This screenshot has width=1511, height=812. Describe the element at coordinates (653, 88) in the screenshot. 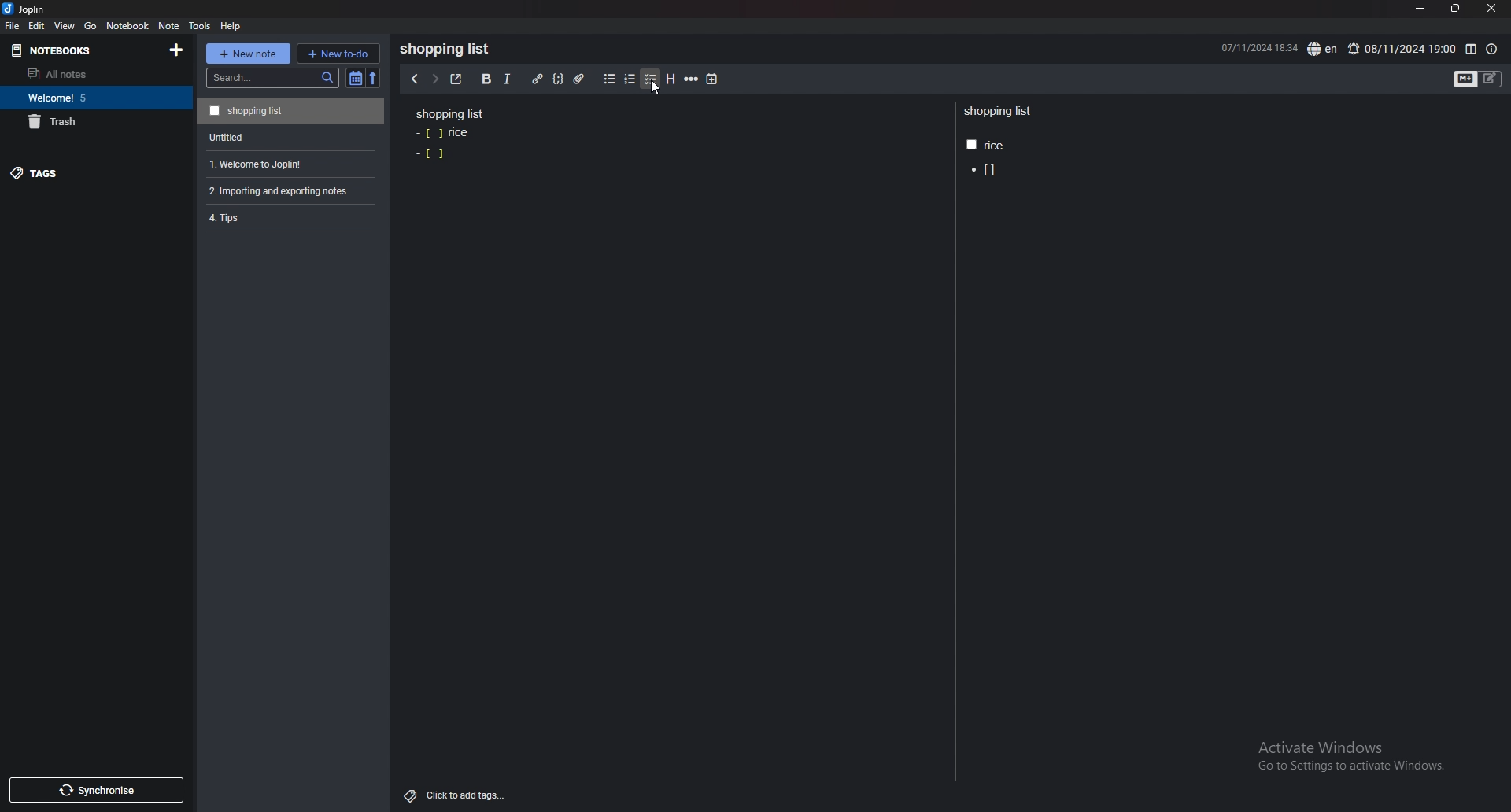

I see `Cursor` at that location.